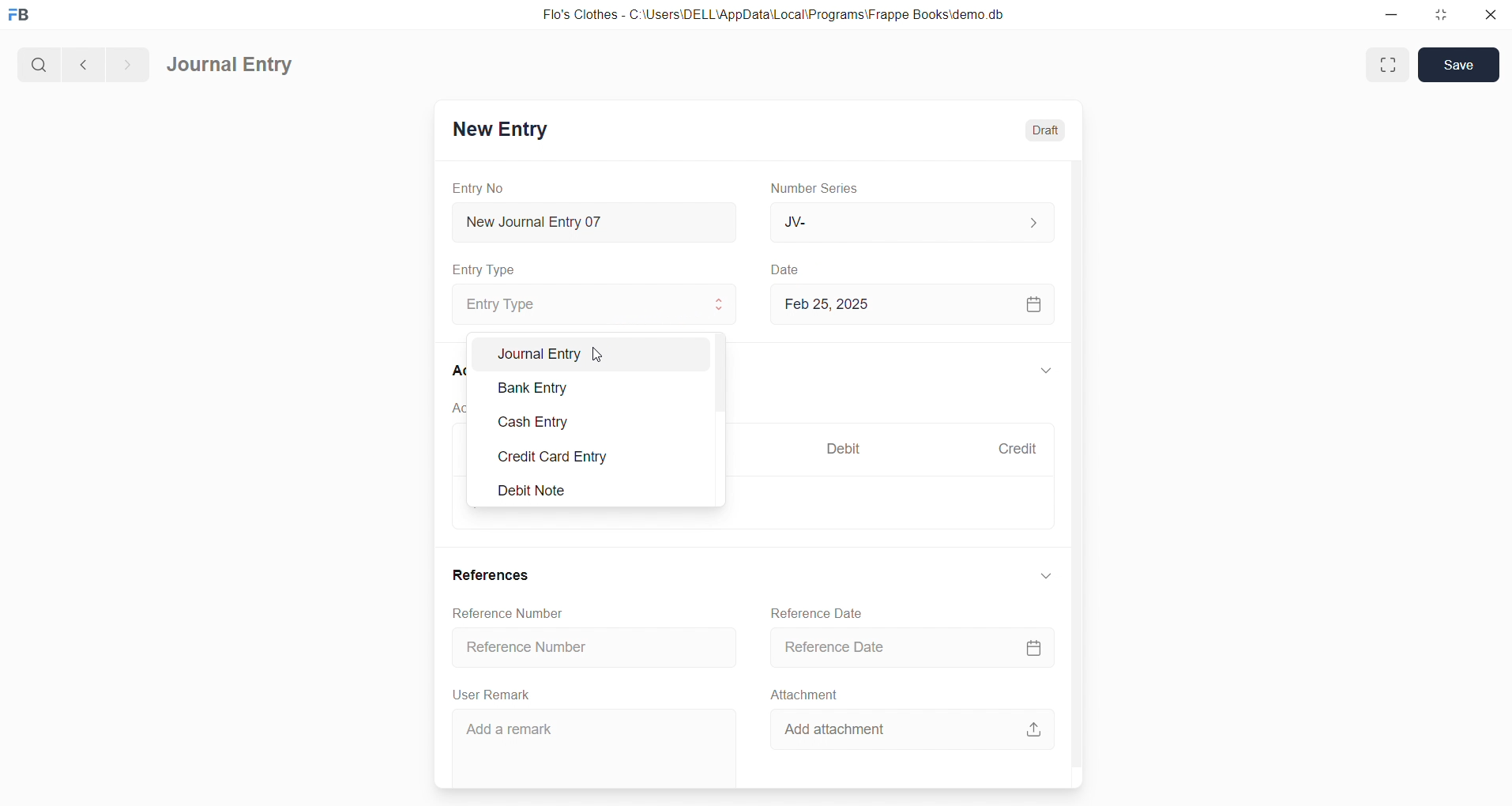 The image size is (1512, 806). What do you see at coordinates (589, 304) in the screenshot?
I see `Entry Type ` at bounding box center [589, 304].